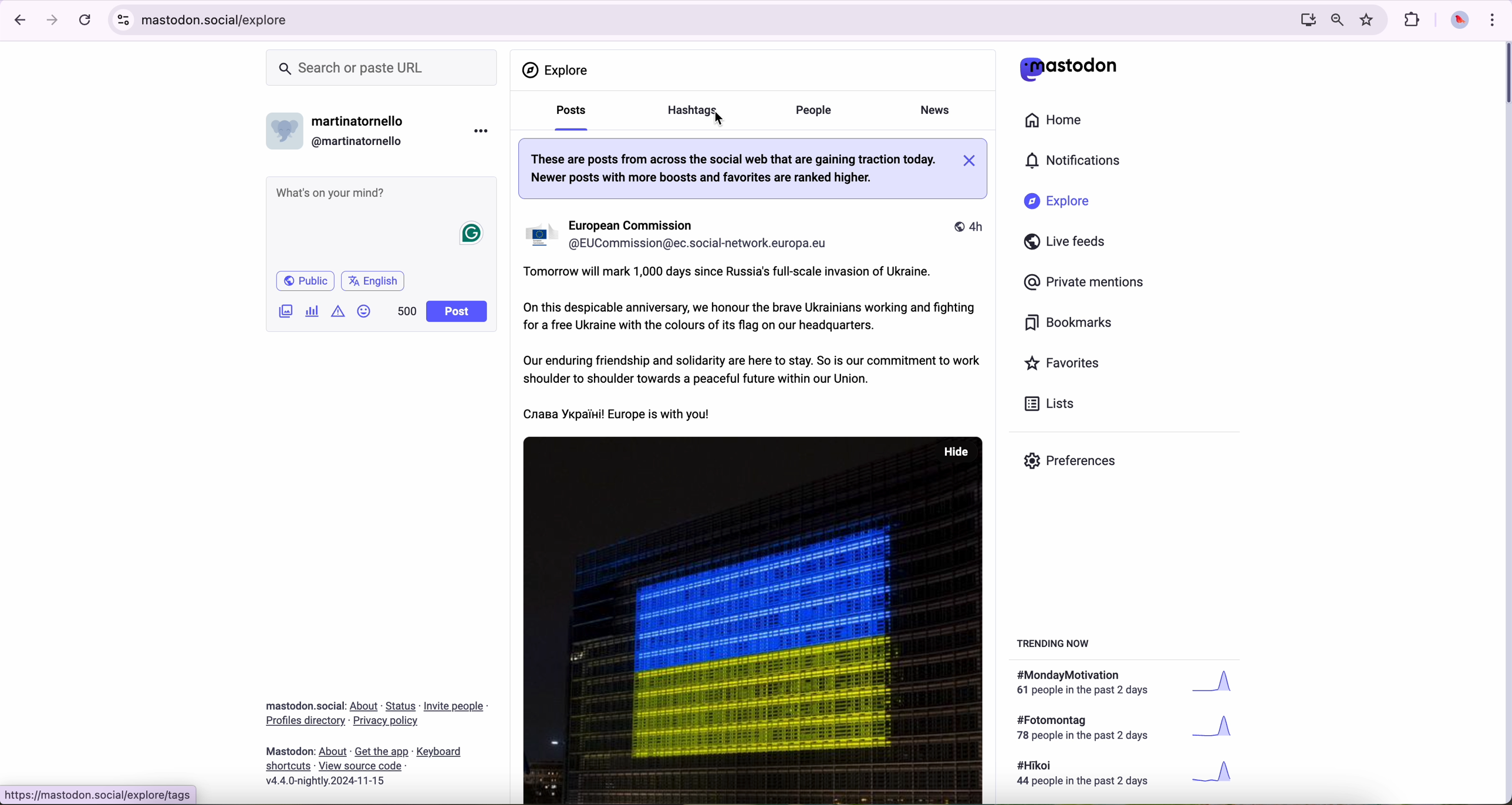 The width and height of the screenshot is (1512, 805). What do you see at coordinates (285, 135) in the screenshot?
I see `profile` at bounding box center [285, 135].